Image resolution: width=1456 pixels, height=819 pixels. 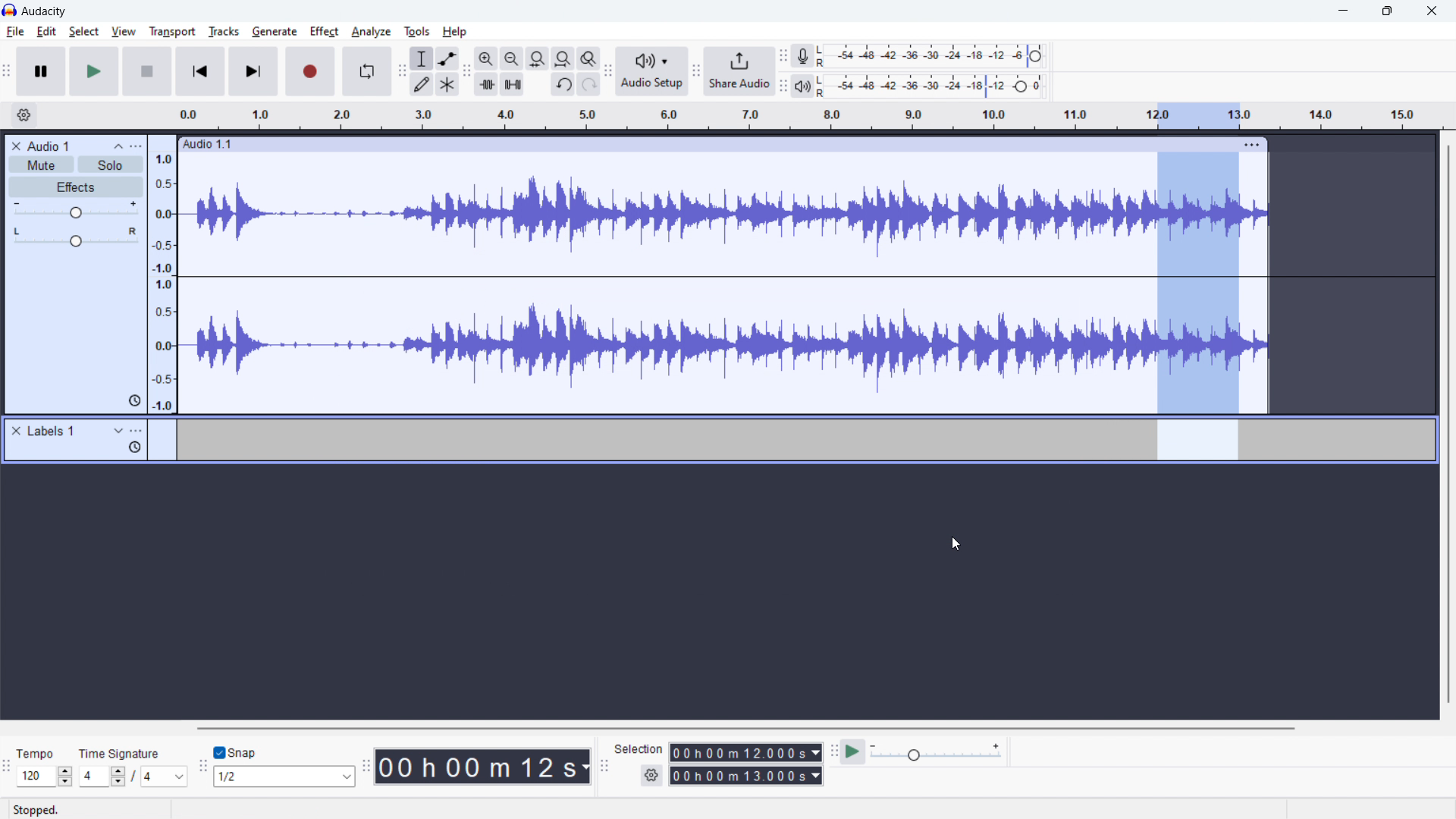 What do you see at coordinates (311, 71) in the screenshot?
I see `record` at bounding box center [311, 71].